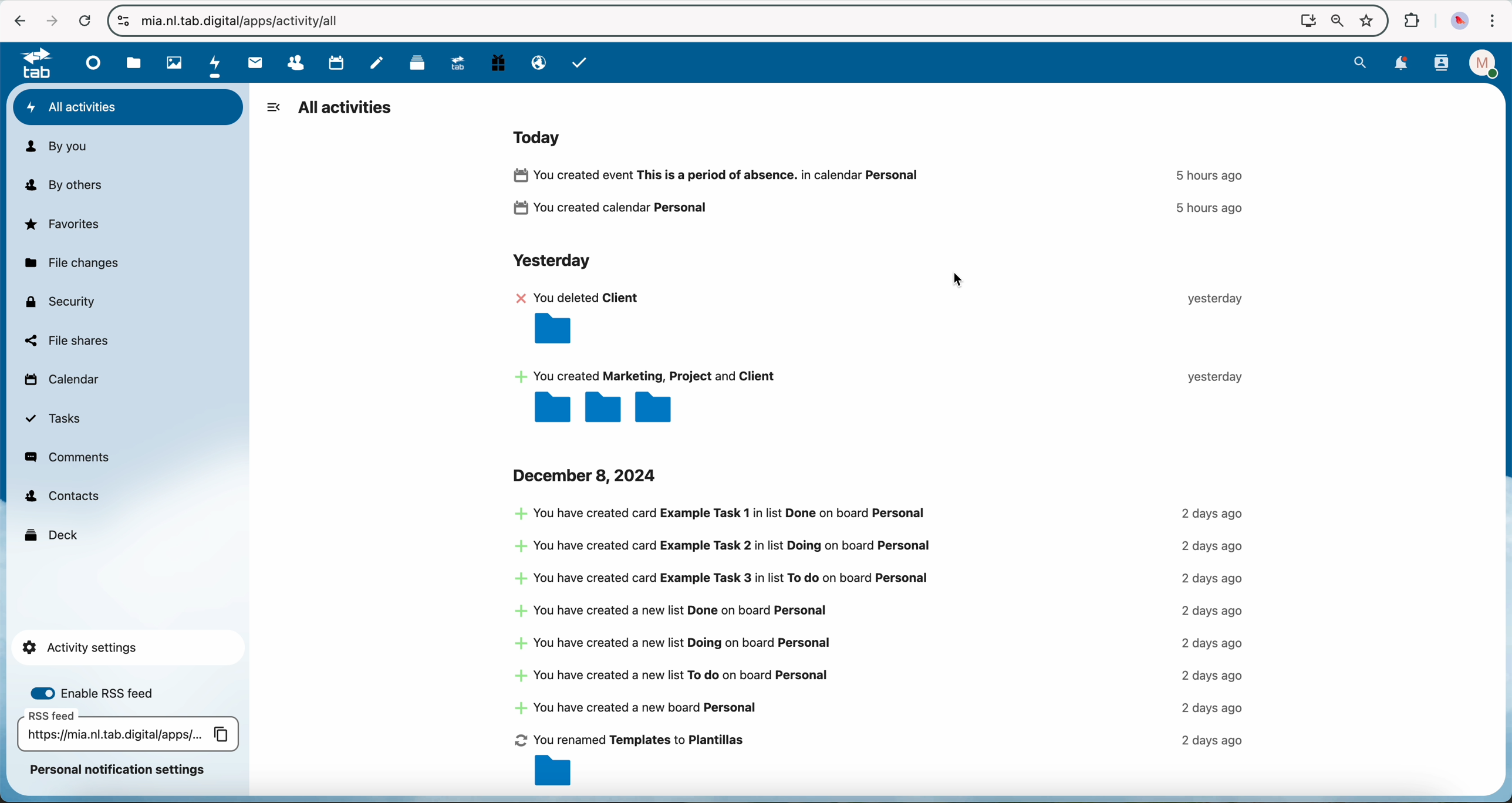 The height and width of the screenshot is (803, 1512). What do you see at coordinates (134, 63) in the screenshot?
I see `files` at bounding box center [134, 63].